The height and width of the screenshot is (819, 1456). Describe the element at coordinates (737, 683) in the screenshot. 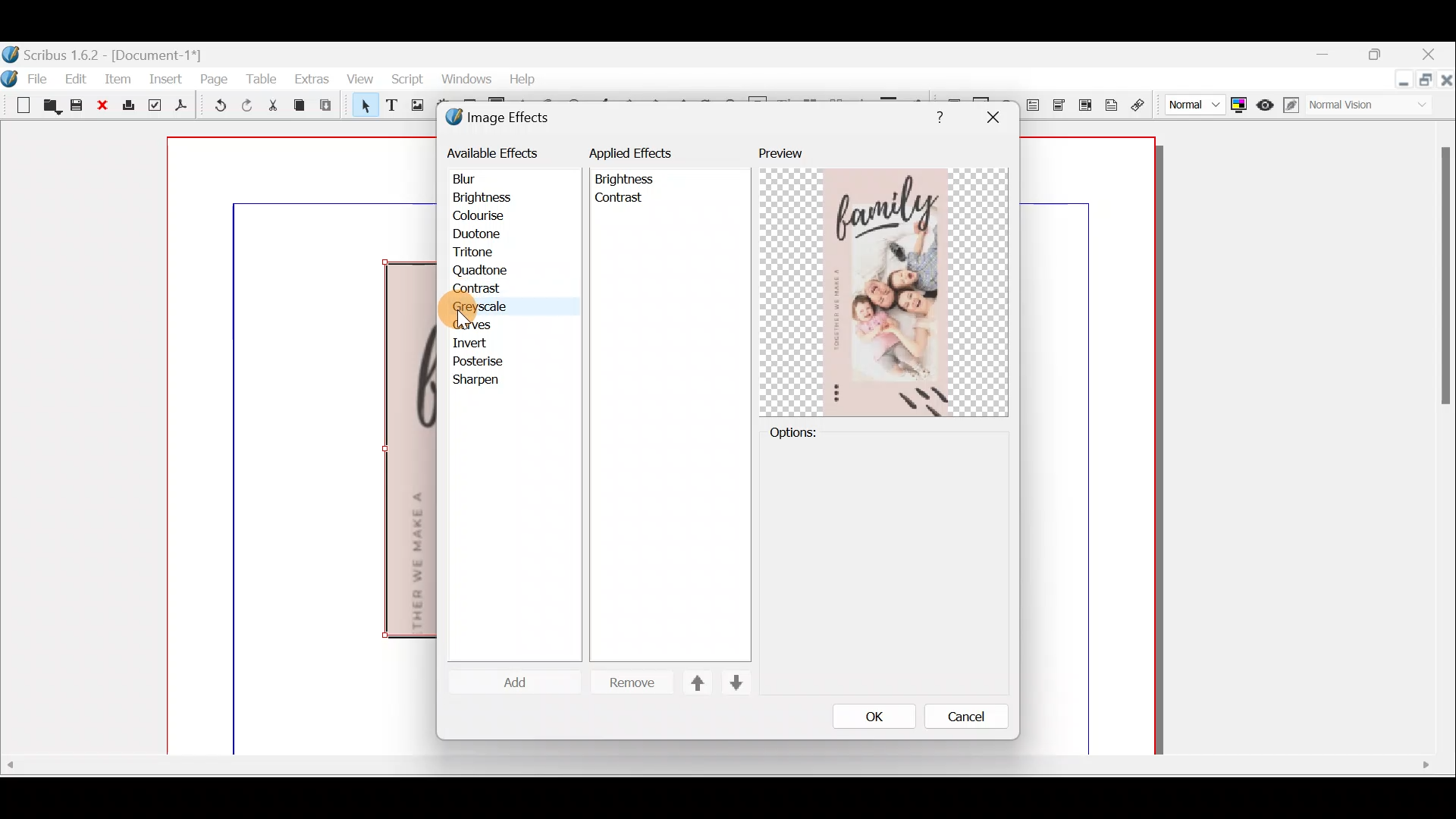

I see `Down` at that location.